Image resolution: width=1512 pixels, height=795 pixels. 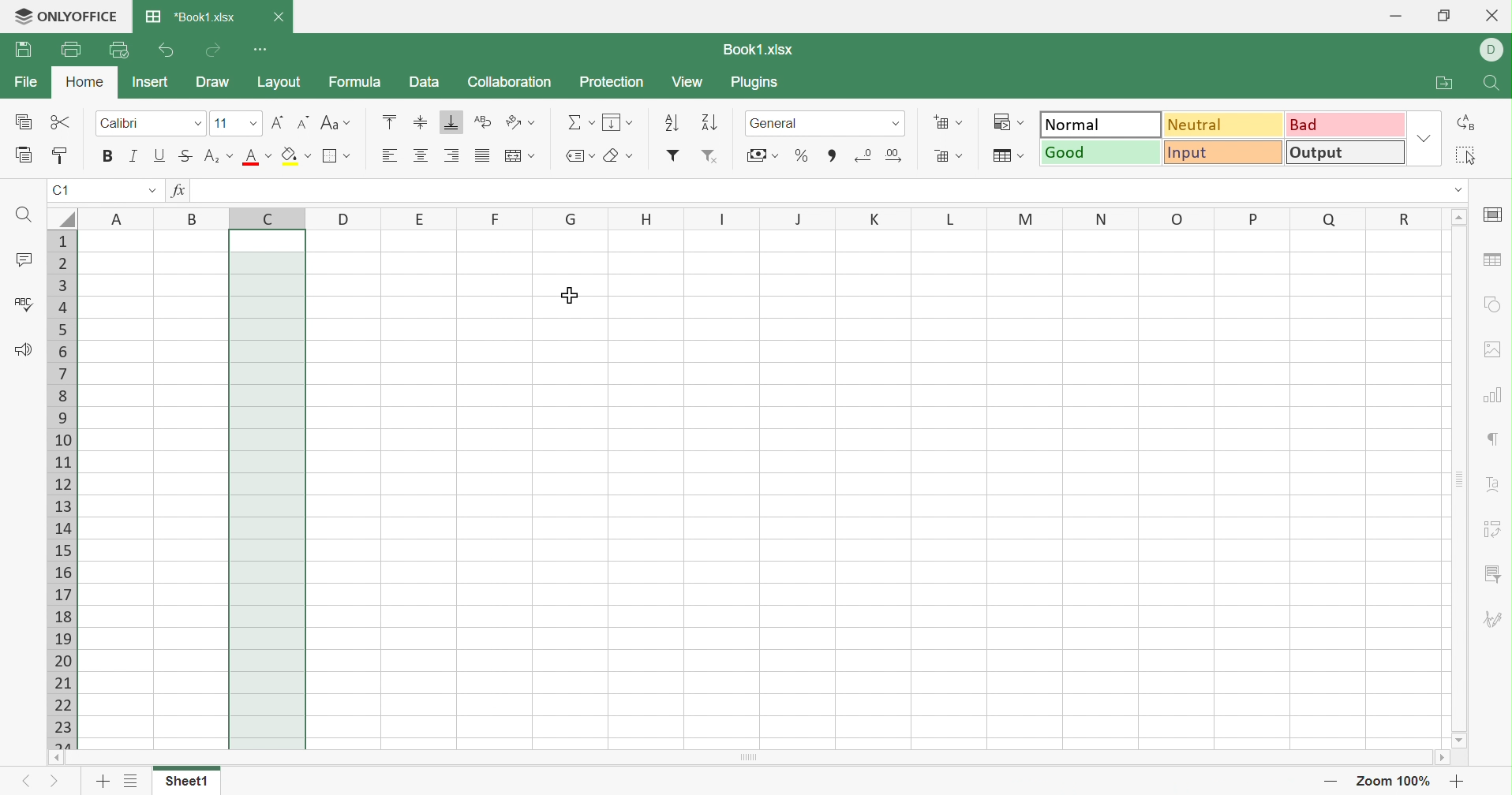 What do you see at coordinates (87, 81) in the screenshot?
I see `Home` at bounding box center [87, 81].